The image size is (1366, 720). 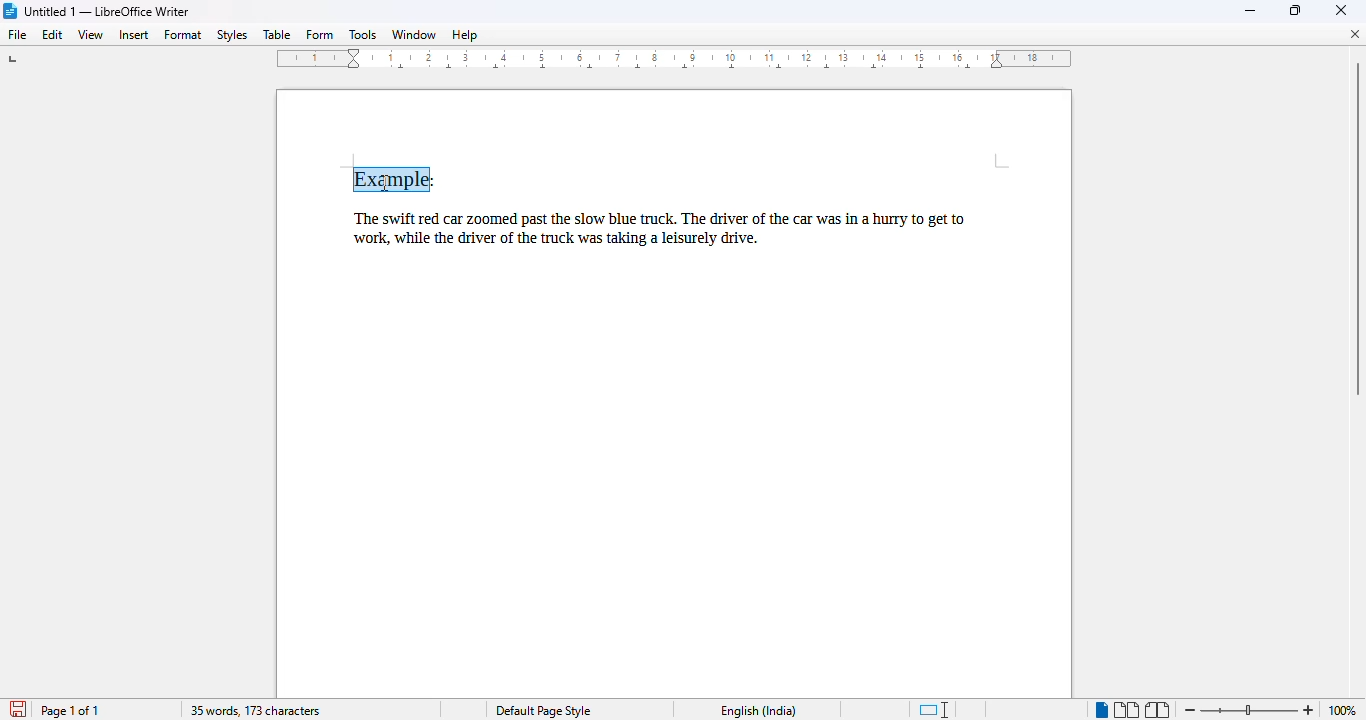 I want to click on edit, so click(x=53, y=35).